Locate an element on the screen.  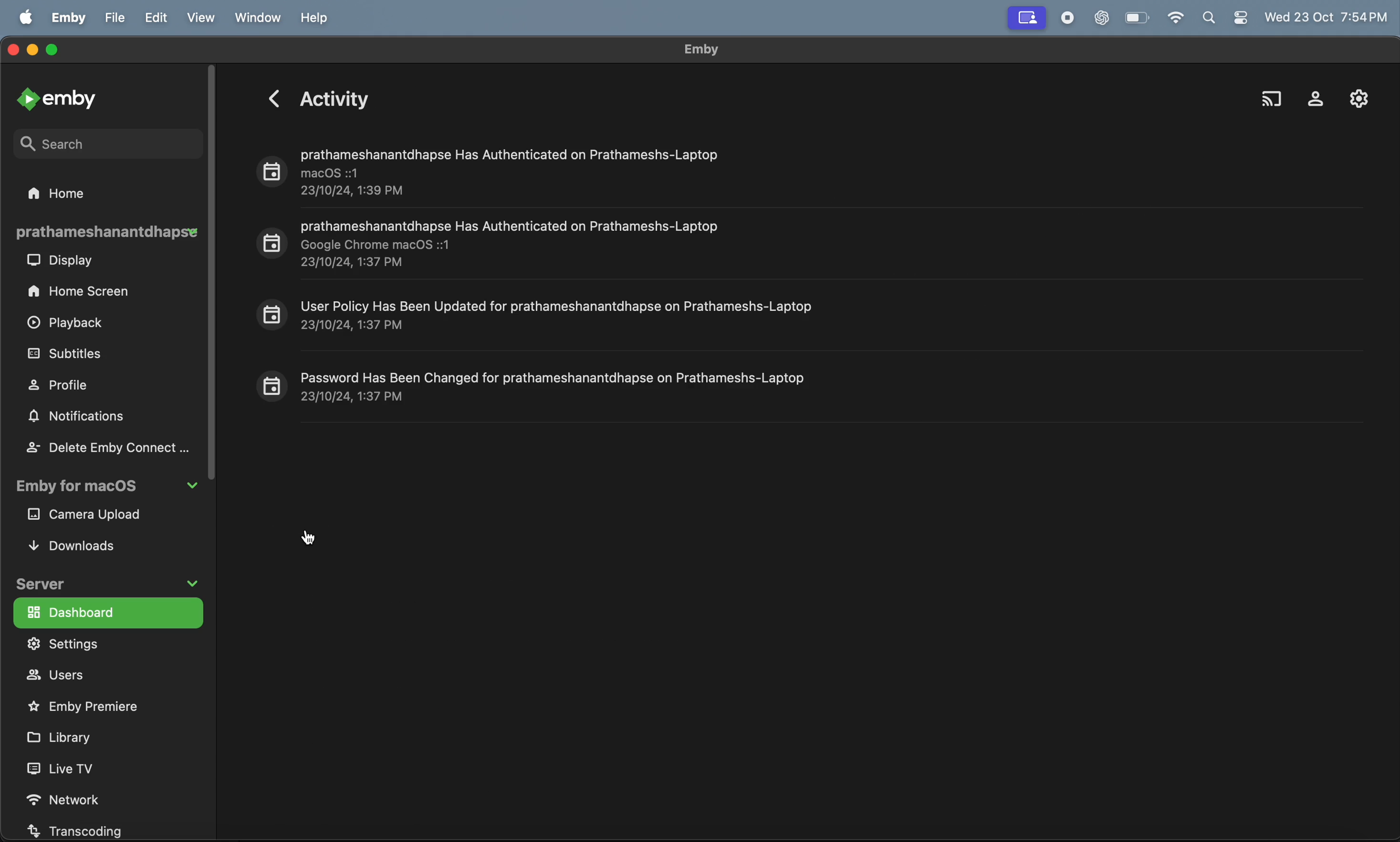
users is located at coordinates (90, 676).